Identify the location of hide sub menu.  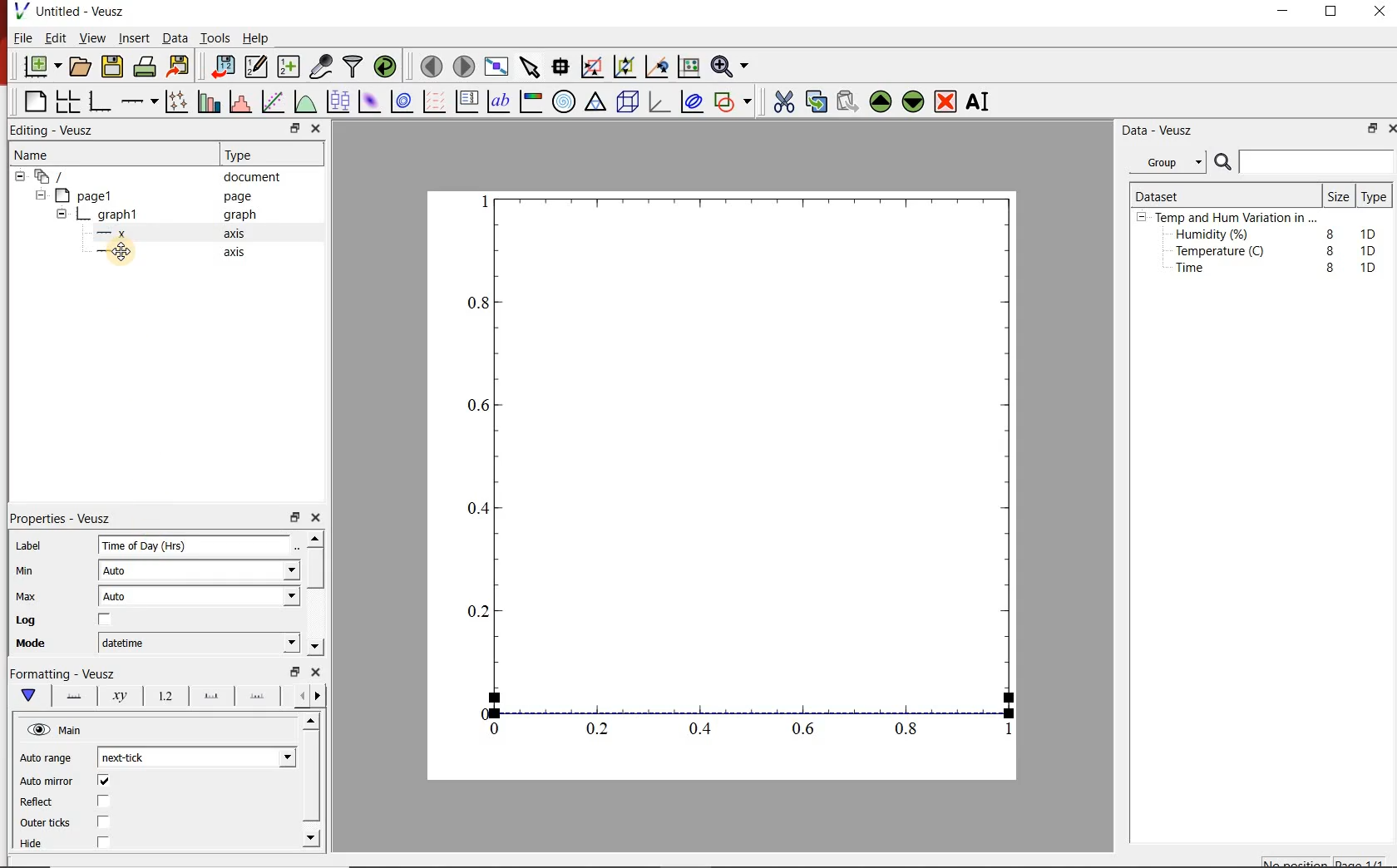
(18, 179).